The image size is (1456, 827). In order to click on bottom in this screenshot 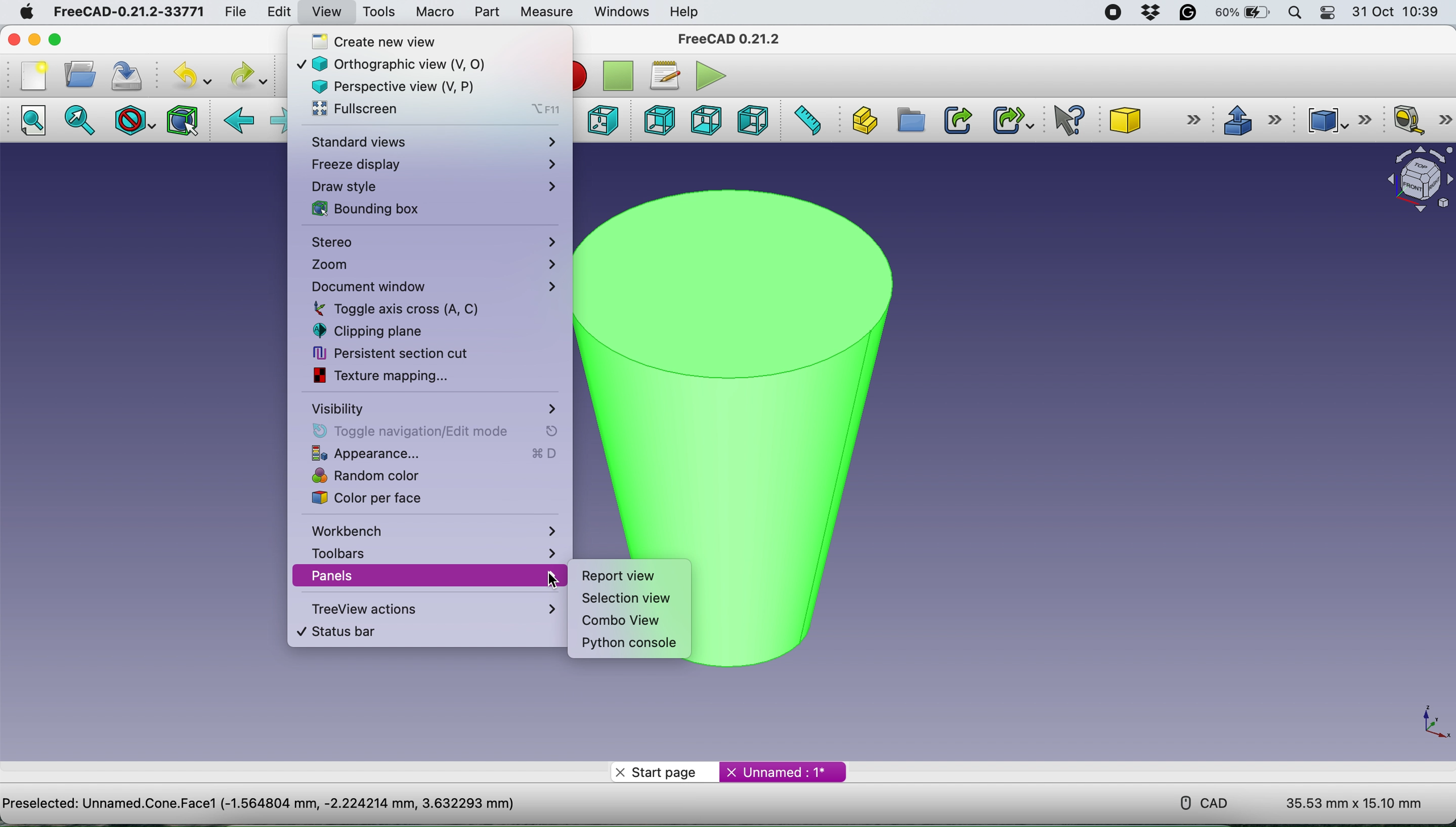, I will do `click(703, 119)`.